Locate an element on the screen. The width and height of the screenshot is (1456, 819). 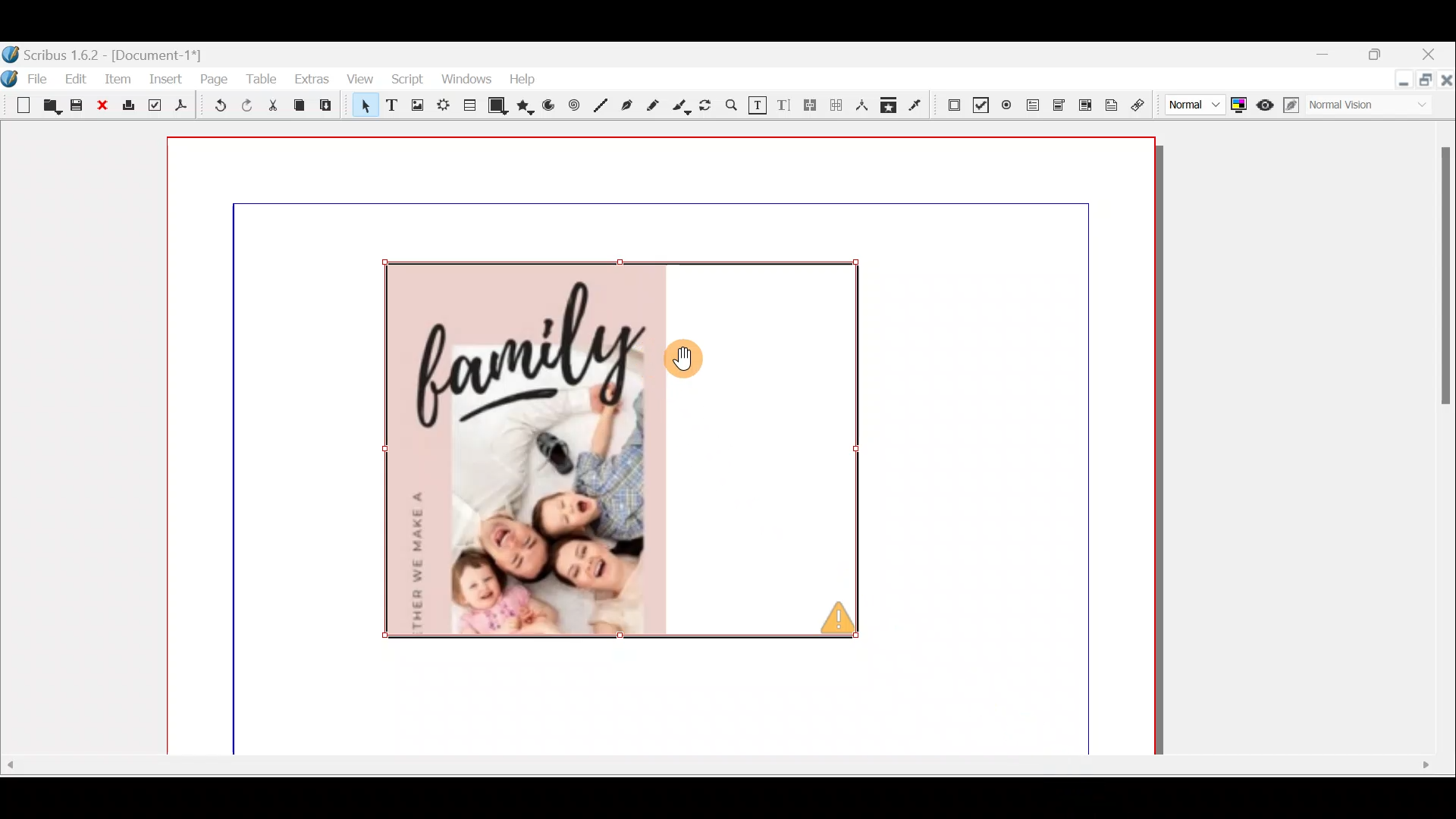
Link text frames is located at coordinates (808, 105).